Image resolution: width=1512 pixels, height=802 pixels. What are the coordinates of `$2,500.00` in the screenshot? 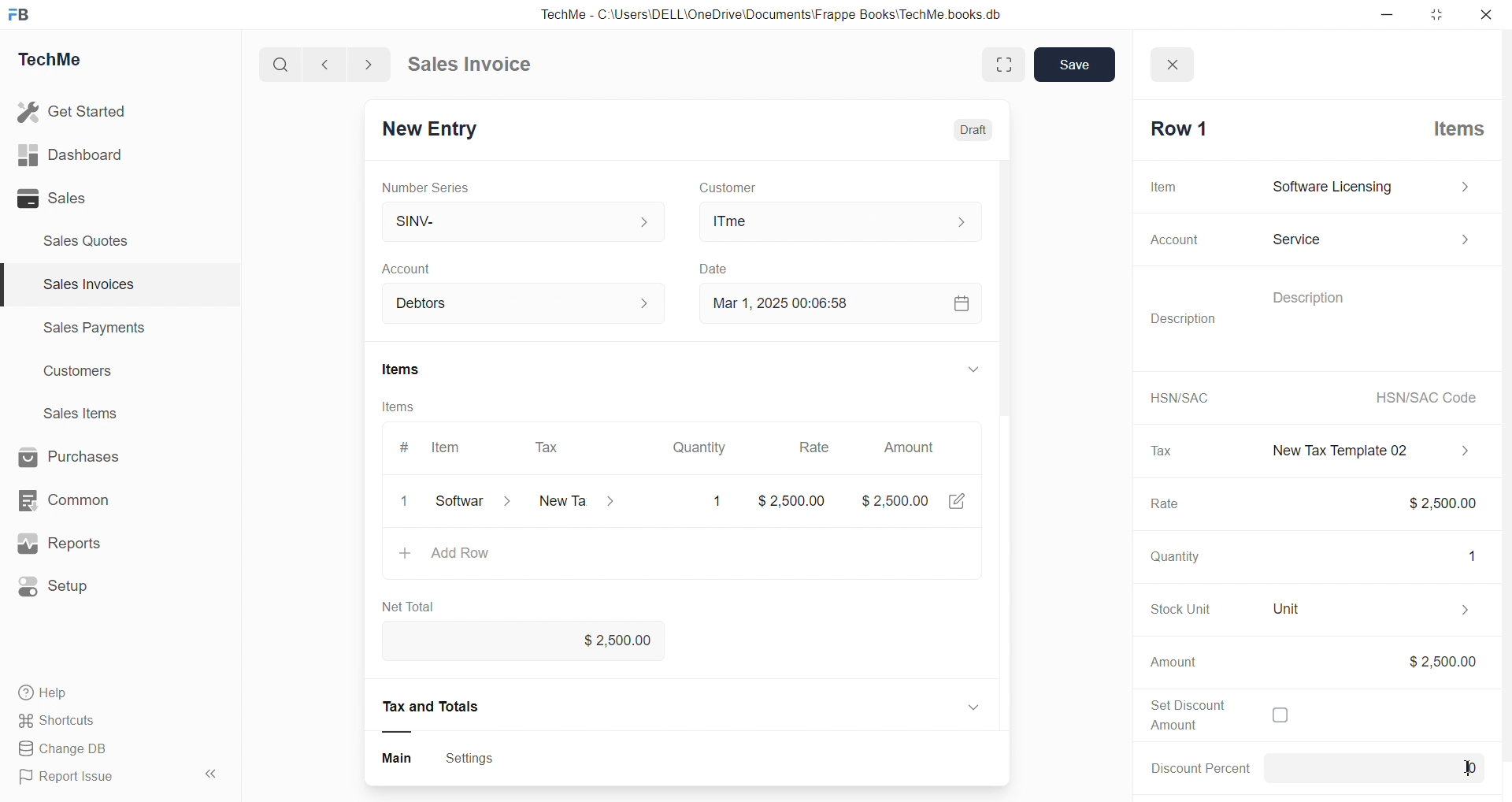 It's located at (1440, 661).